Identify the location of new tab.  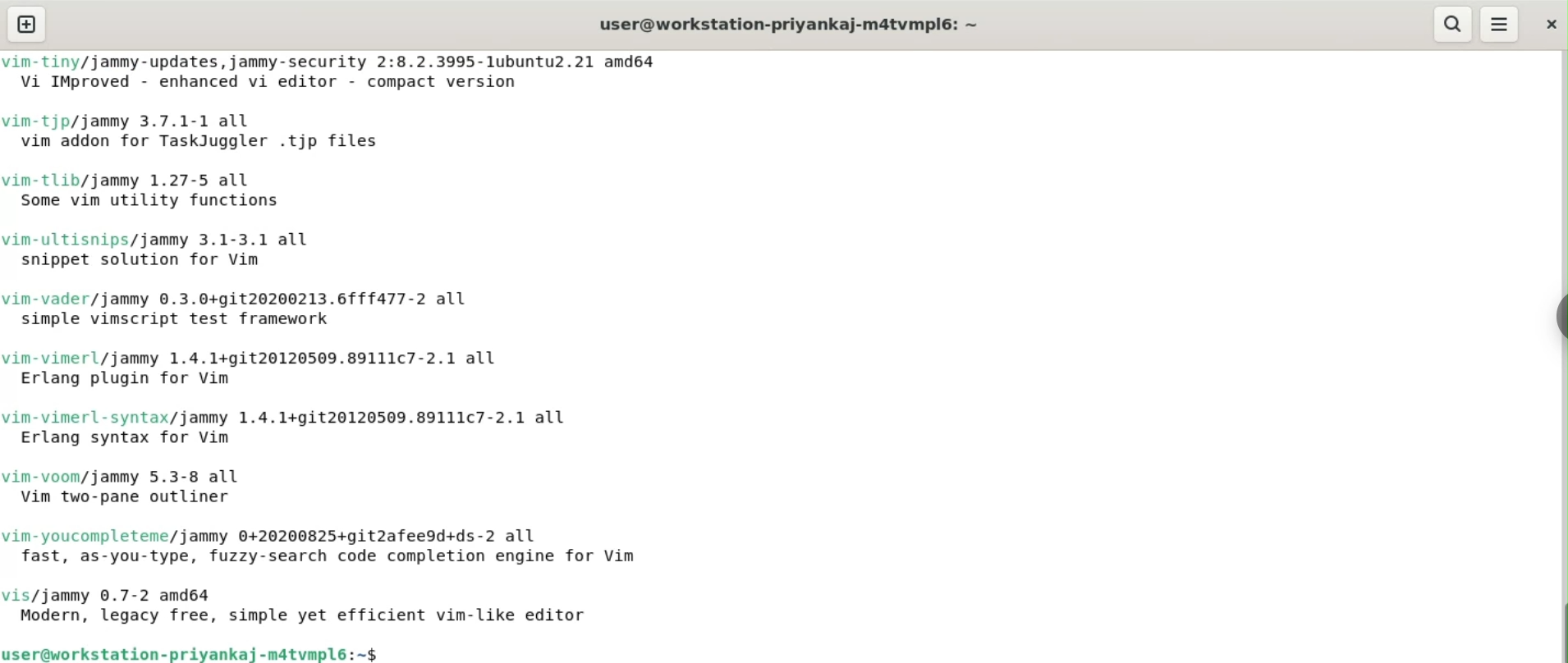
(30, 24).